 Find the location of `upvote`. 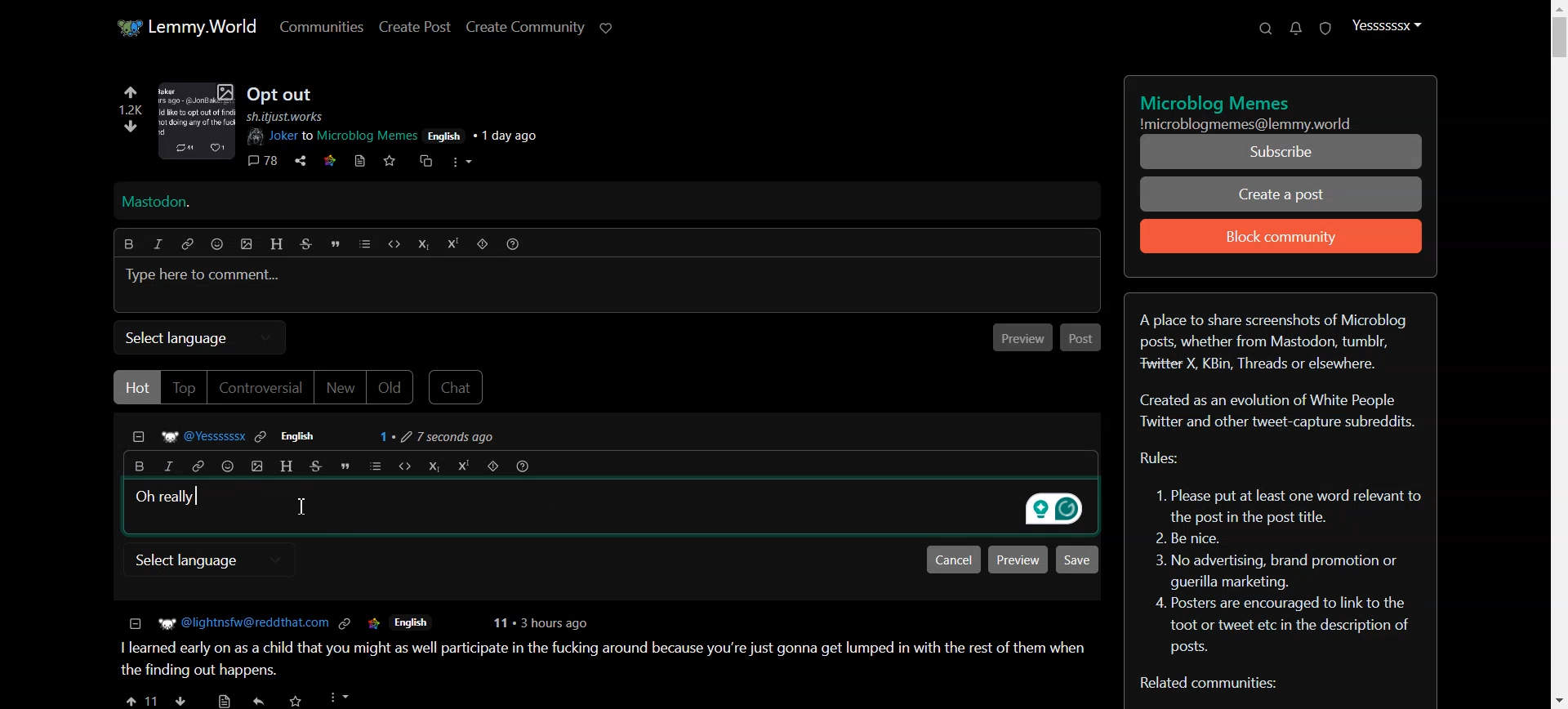

upvote is located at coordinates (140, 697).